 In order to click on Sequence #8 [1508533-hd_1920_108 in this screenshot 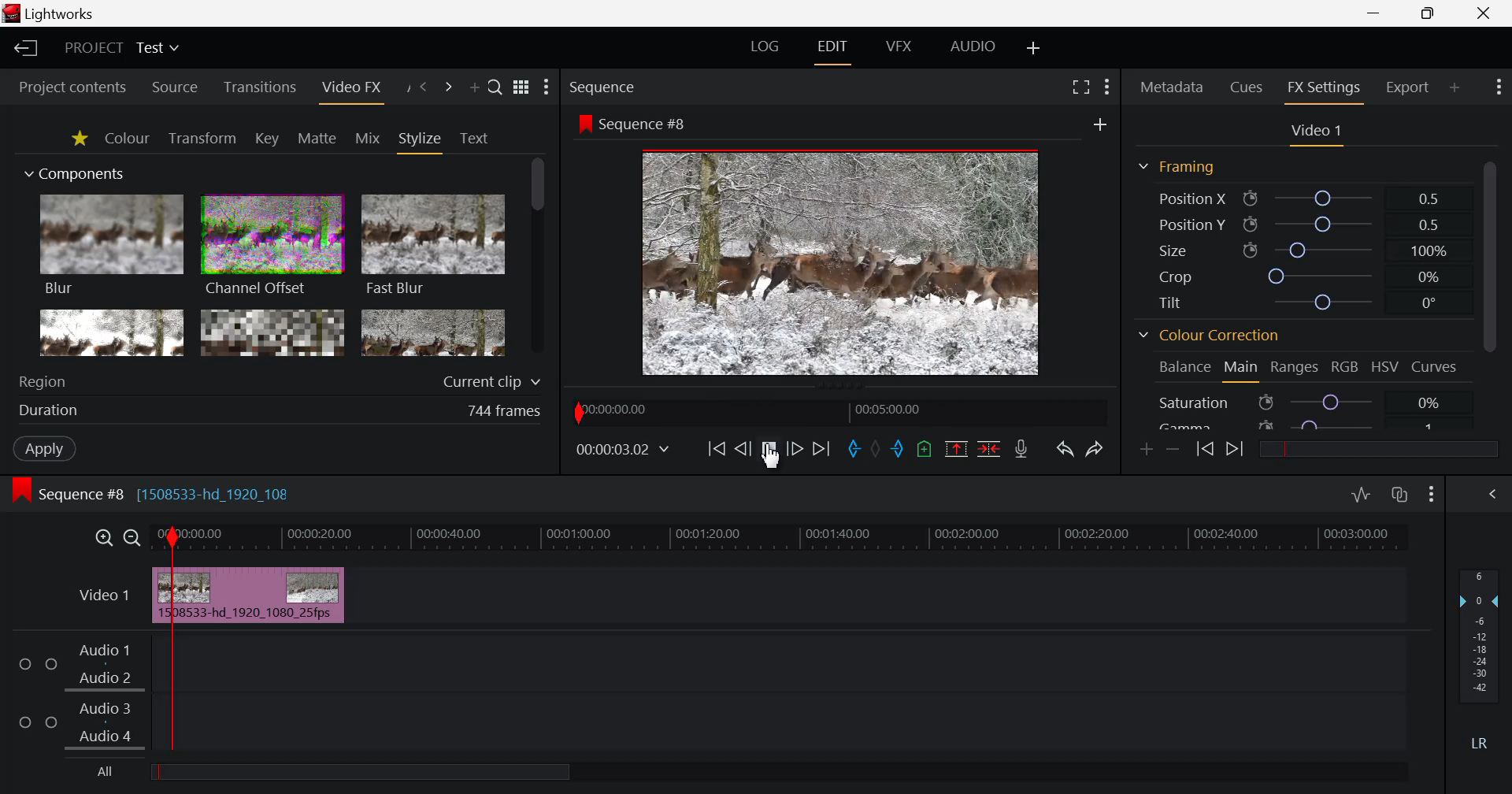, I will do `click(179, 492)`.